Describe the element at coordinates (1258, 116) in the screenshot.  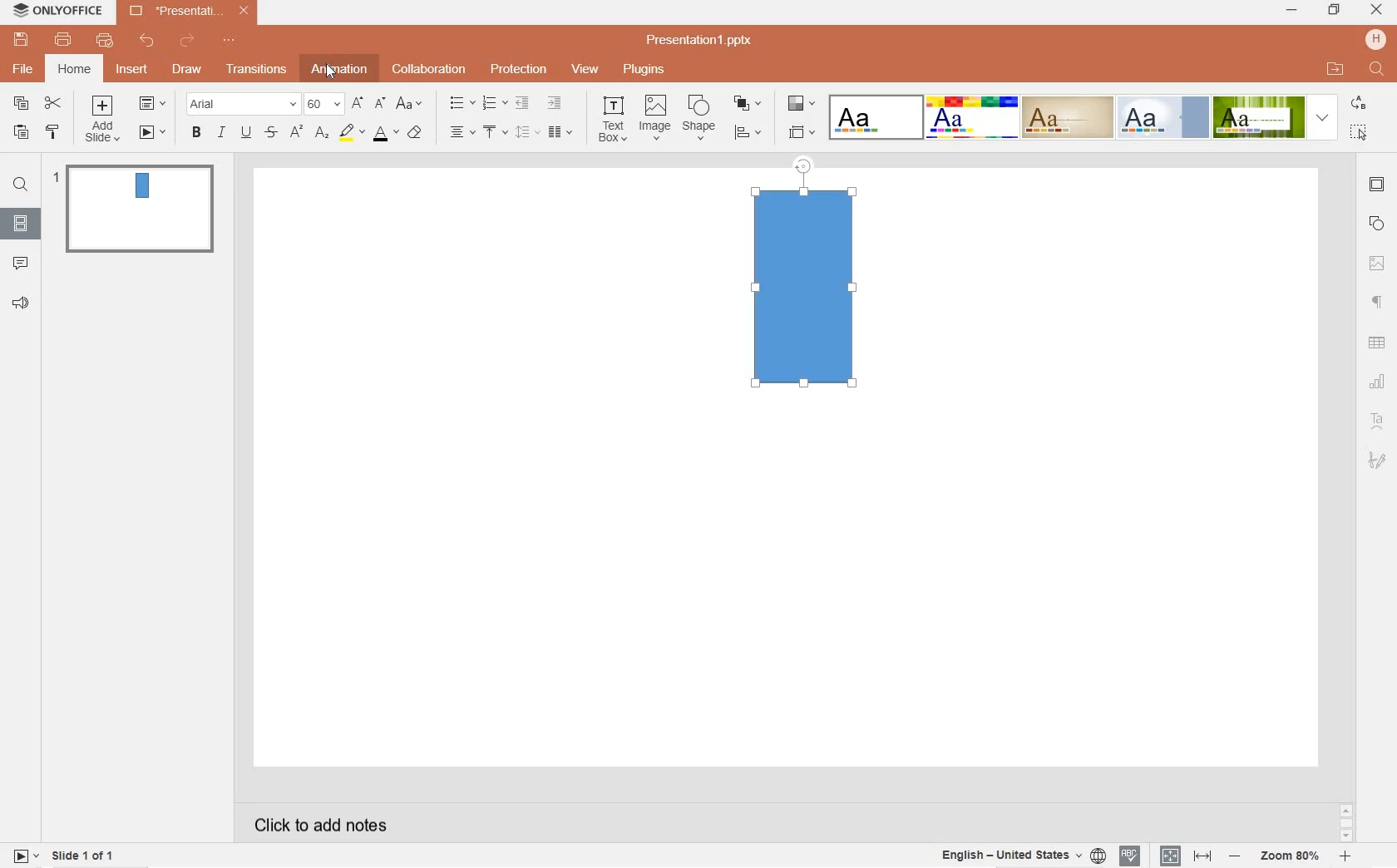
I see `Green Leaf` at that location.